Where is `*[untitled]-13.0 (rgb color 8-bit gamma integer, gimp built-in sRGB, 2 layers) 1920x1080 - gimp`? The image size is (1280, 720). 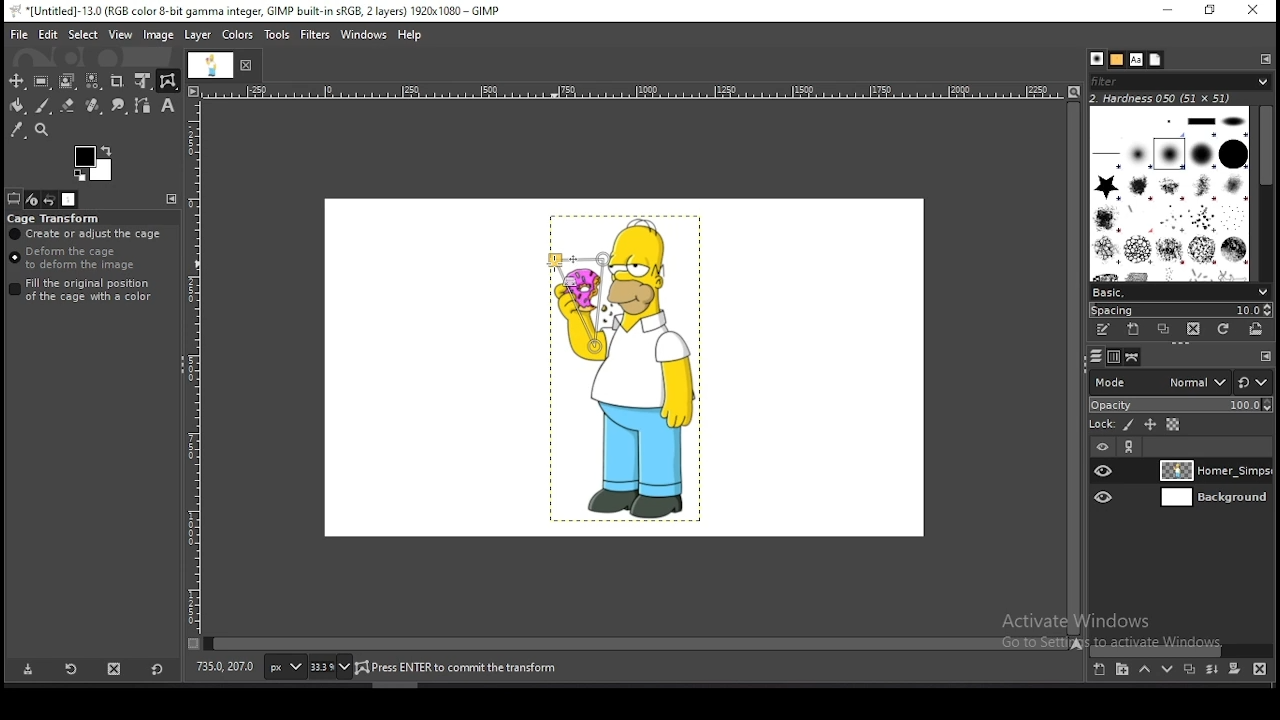
*[untitled]-13.0 (rgb color 8-bit gamma integer, gimp built-in sRGB, 2 layers) 1920x1080 - gimp is located at coordinates (261, 11).